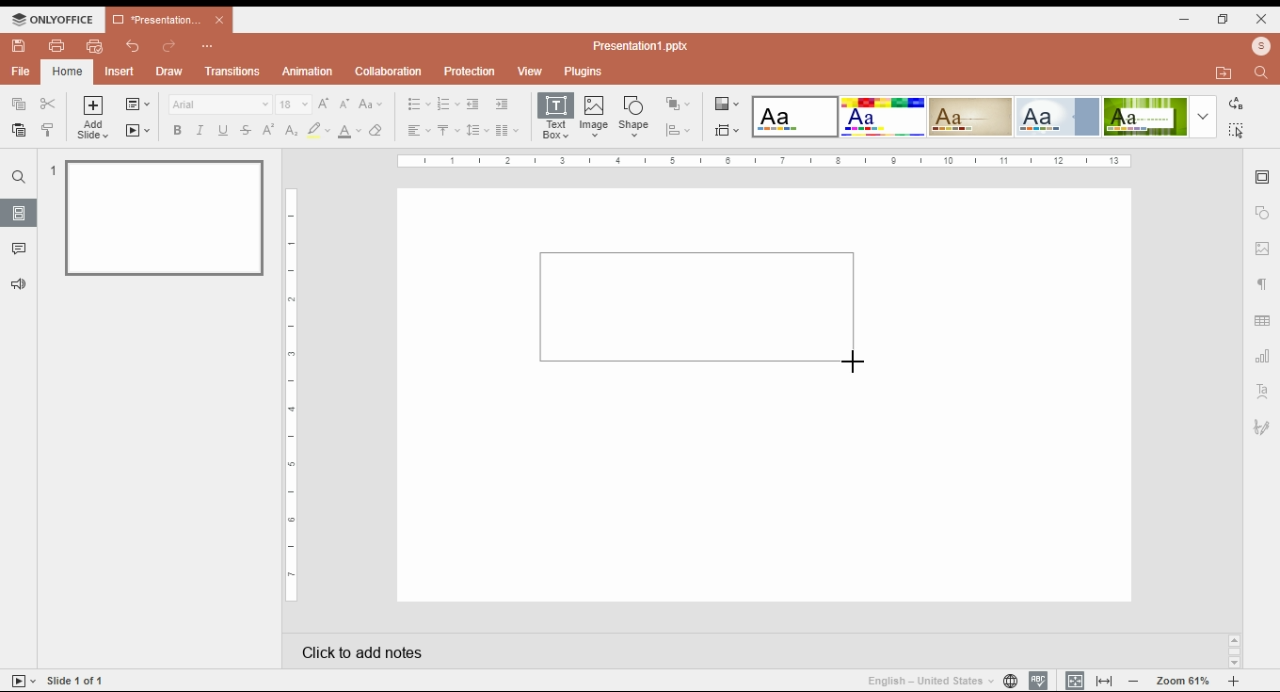 This screenshot has height=692, width=1280. What do you see at coordinates (1261, 285) in the screenshot?
I see `paragraph settings` at bounding box center [1261, 285].